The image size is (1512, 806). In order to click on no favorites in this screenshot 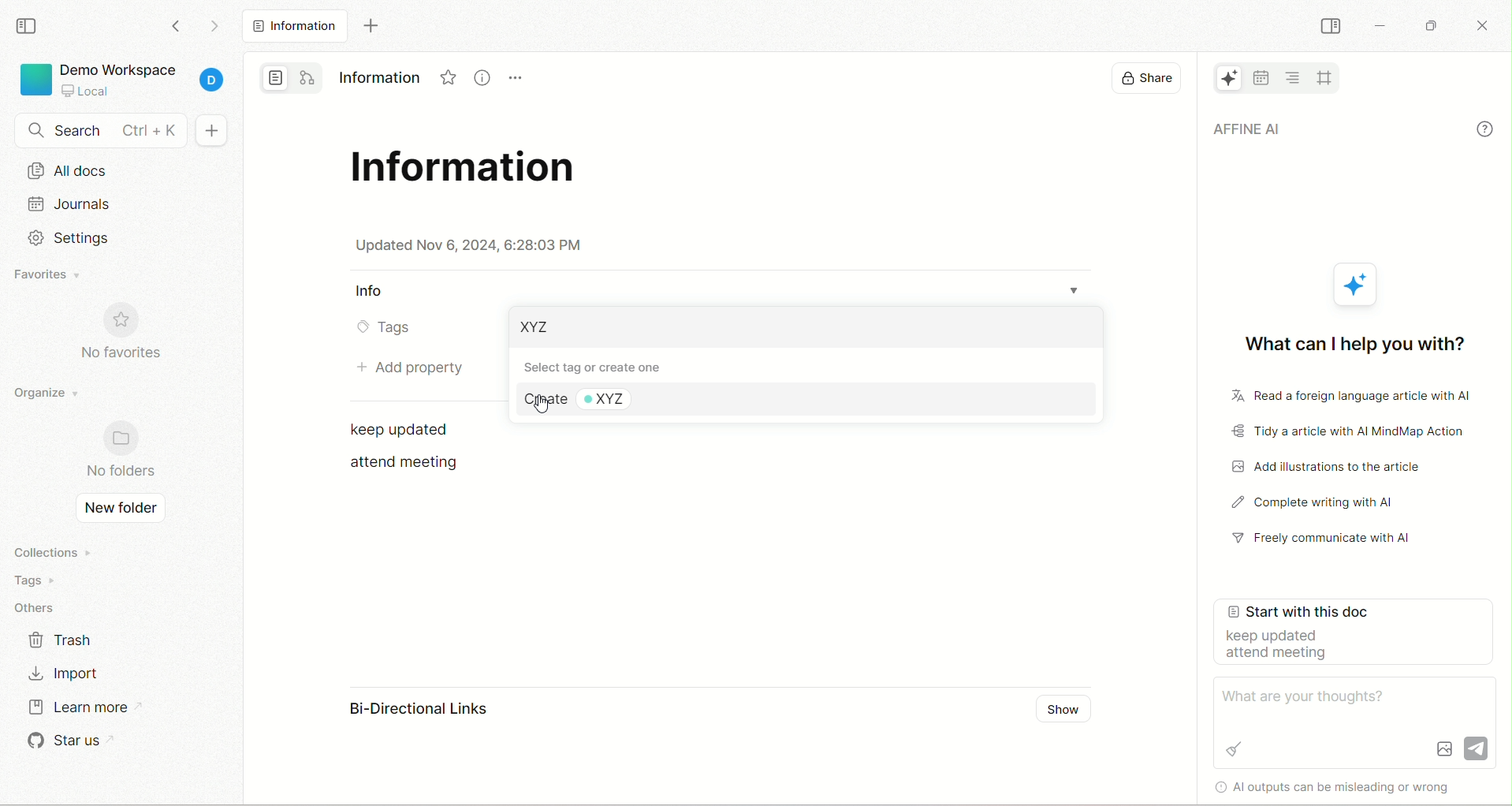, I will do `click(123, 333)`.